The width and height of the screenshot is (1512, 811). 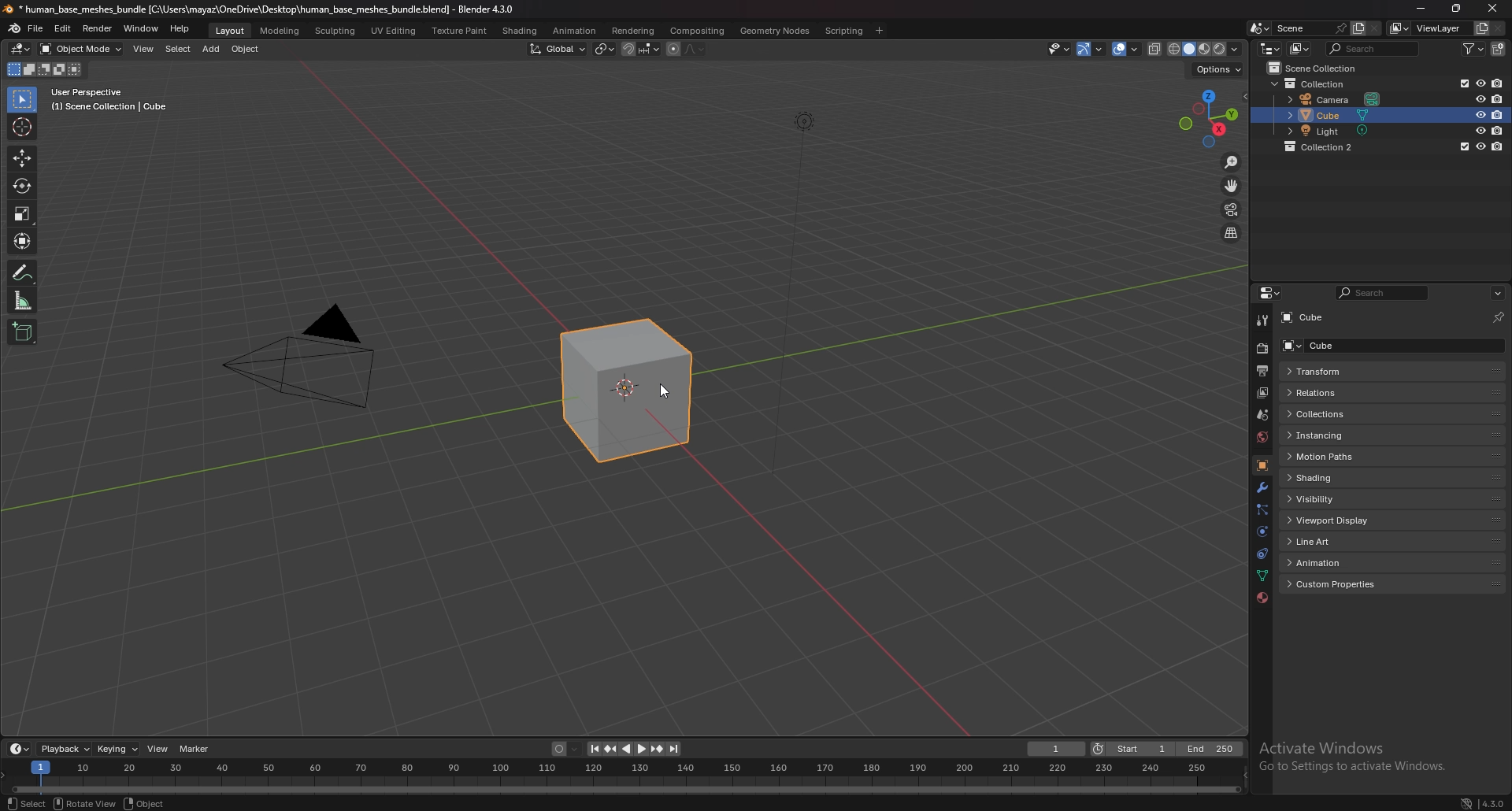 What do you see at coordinates (80, 49) in the screenshot?
I see `object mode` at bounding box center [80, 49].